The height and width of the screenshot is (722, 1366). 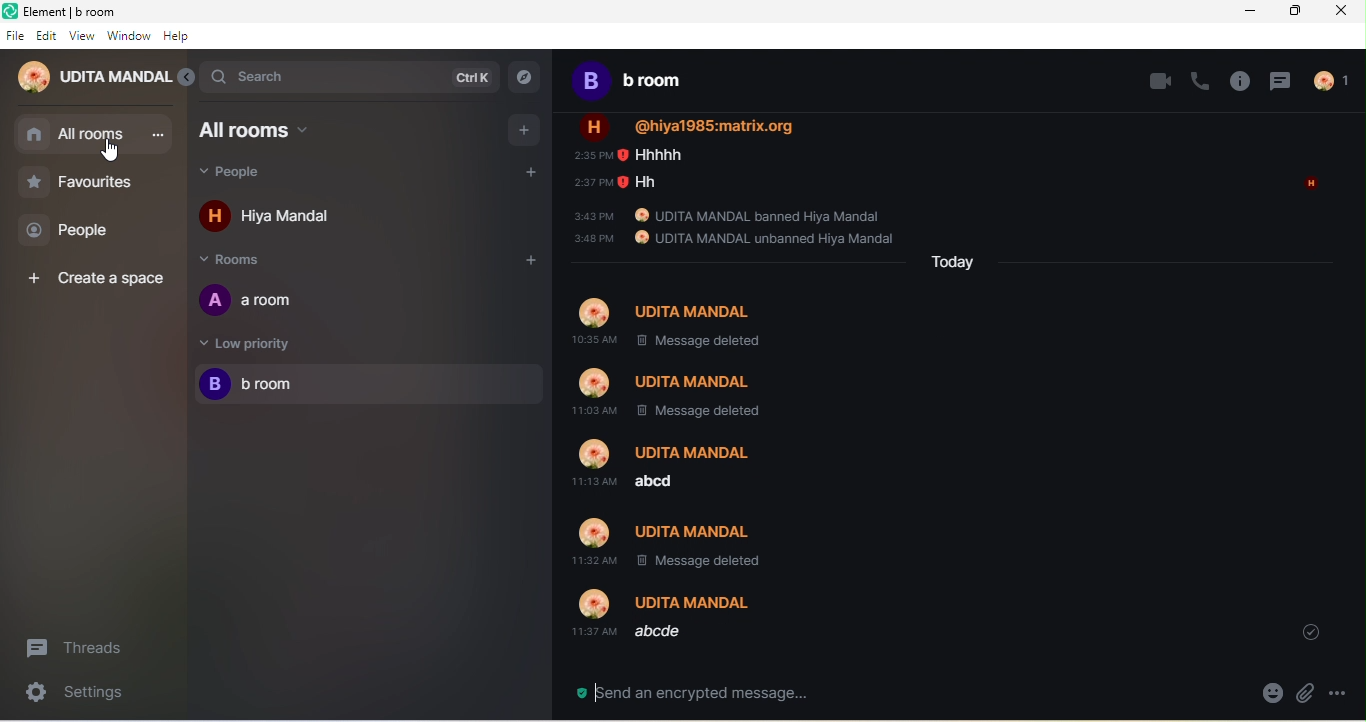 What do you see at coordinates (351, 77) in the screenshot?
I see `search` at bounding box center [351, 77].